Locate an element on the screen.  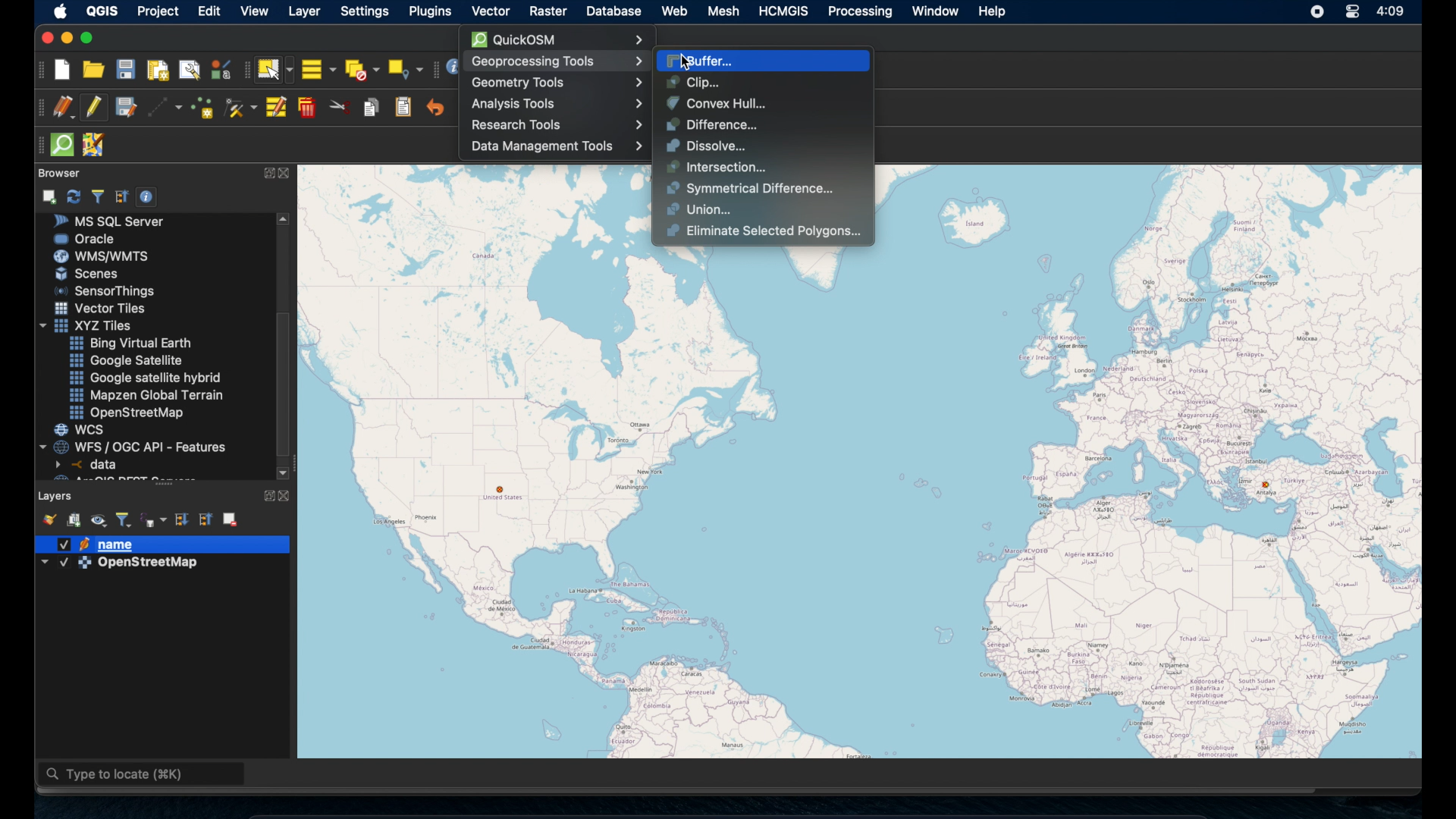
Analysis Tools  is located at coordinates (561, 105).